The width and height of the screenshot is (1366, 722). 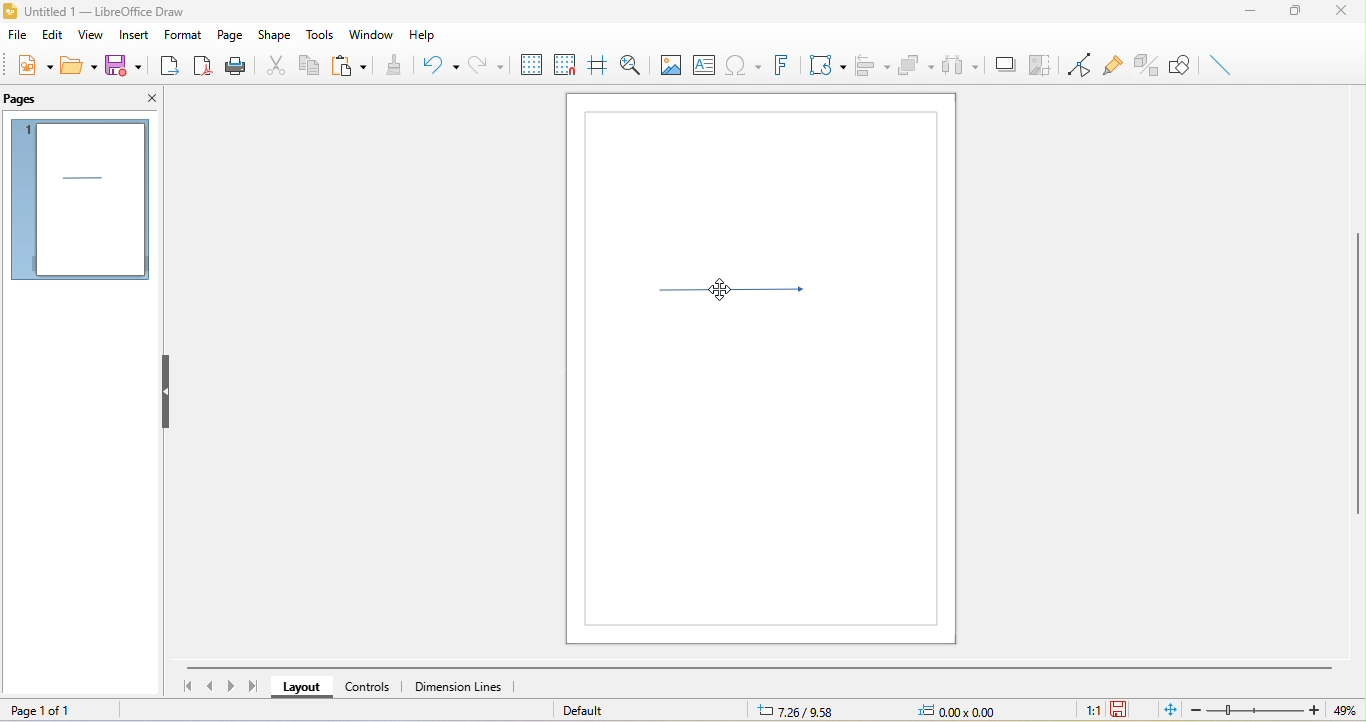 What do you see at coordinates (1357, 371) in the screenshot?
I see `vertical scroll bar` at bounding box center [1357, 371].